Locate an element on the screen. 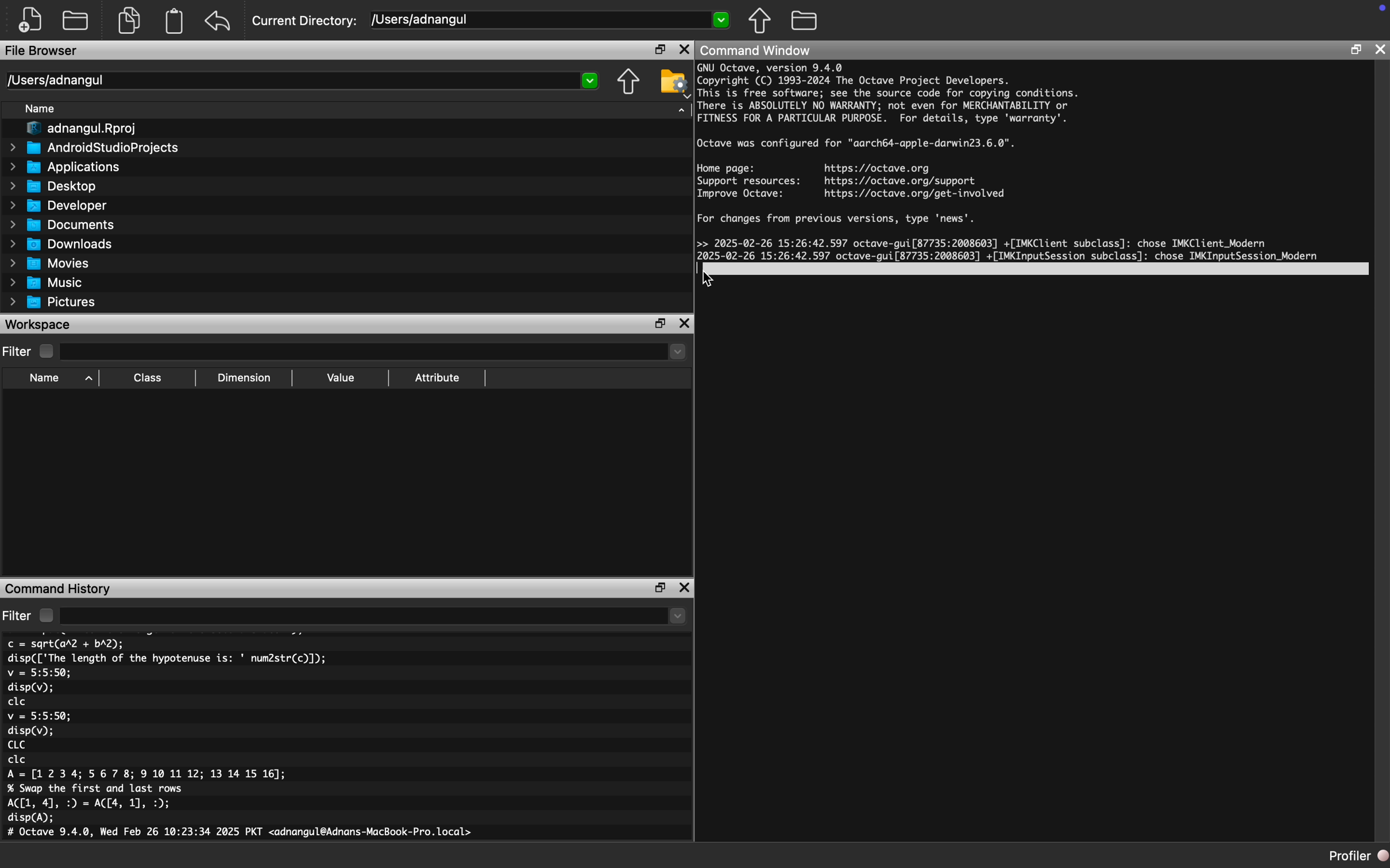  Restore Down is located at coordinates (660, 49).